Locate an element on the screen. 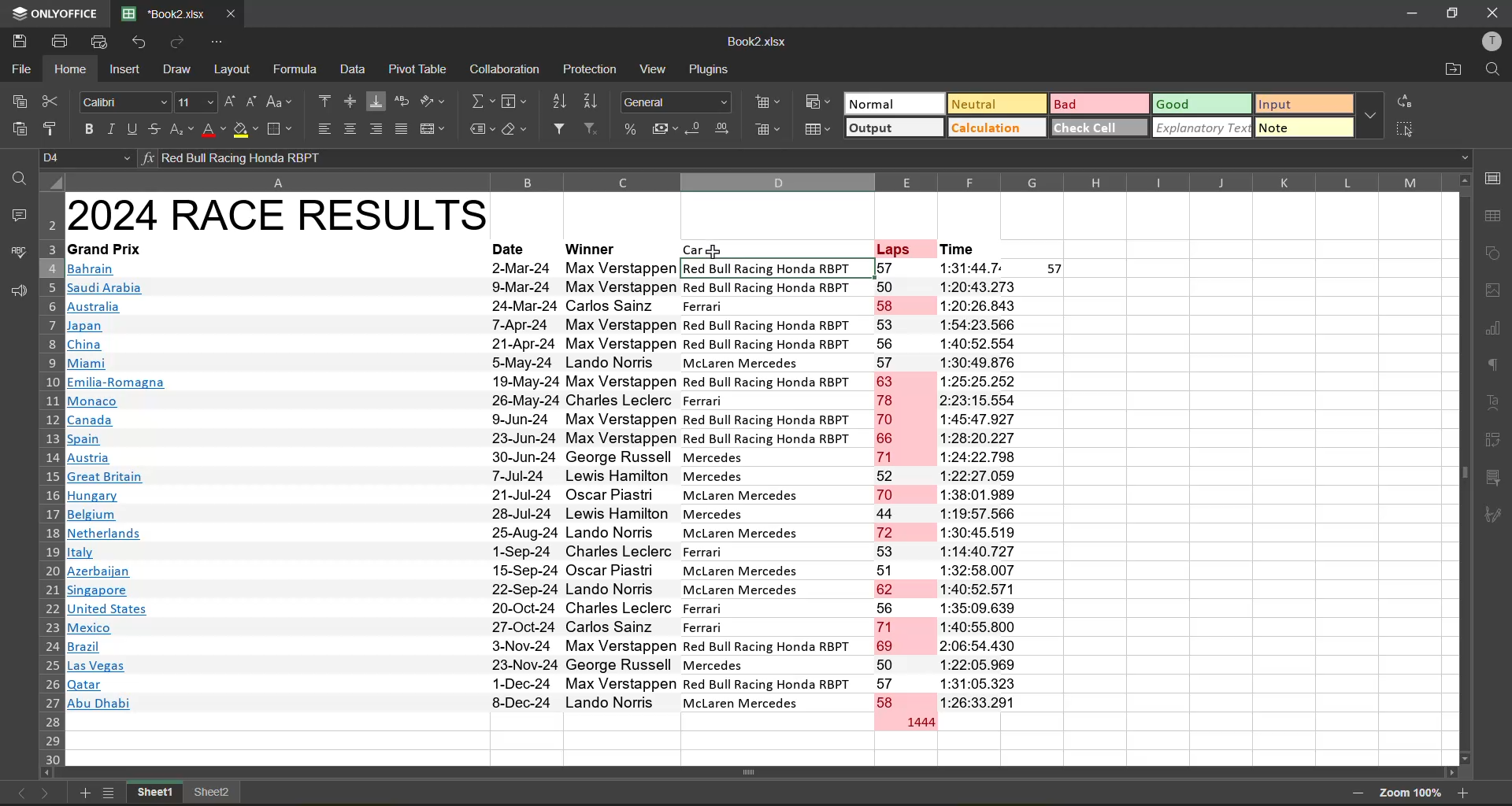 The width and height of the screenshot is (1512, 806). comments is located at coordinates (15, 213).